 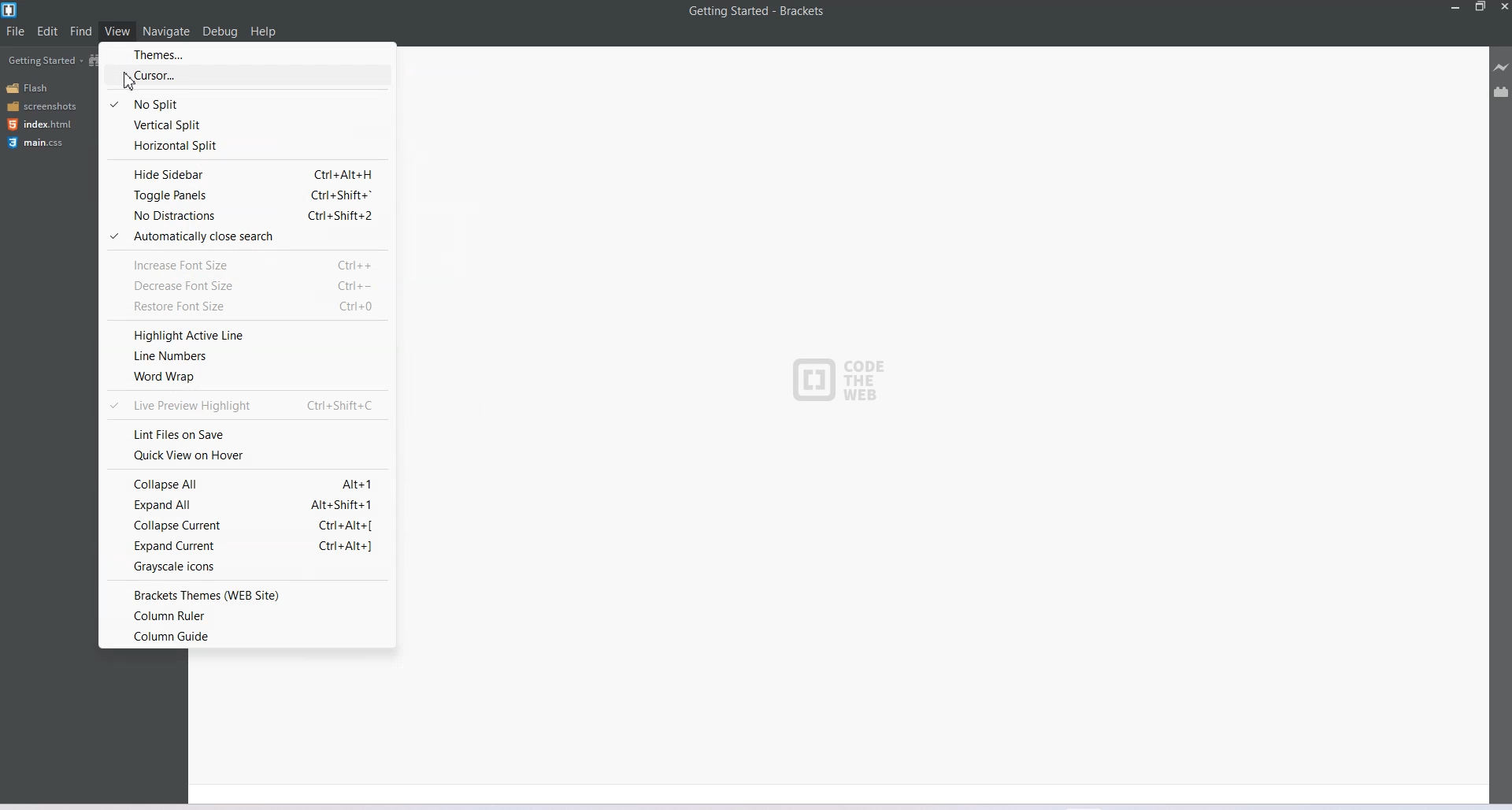 What do you see at coordinates (1503, 7) in the screenshot?
I see `Close` at bounding box center [1503, 7].